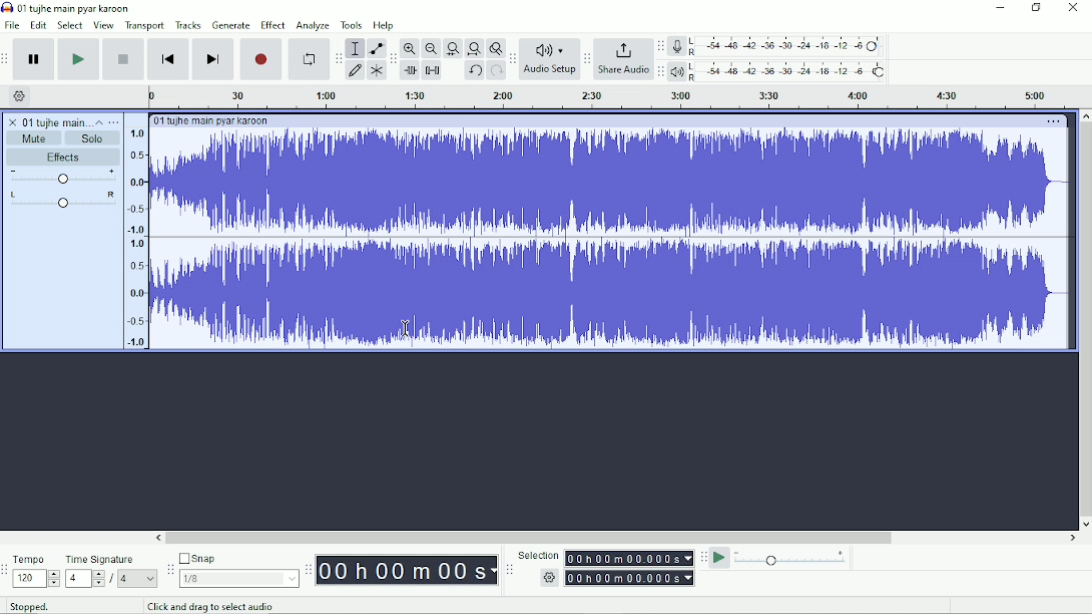  Describe the element at coordinates (7, 59) in the screenshot. I see `Audacity transport toolbar` at that location.